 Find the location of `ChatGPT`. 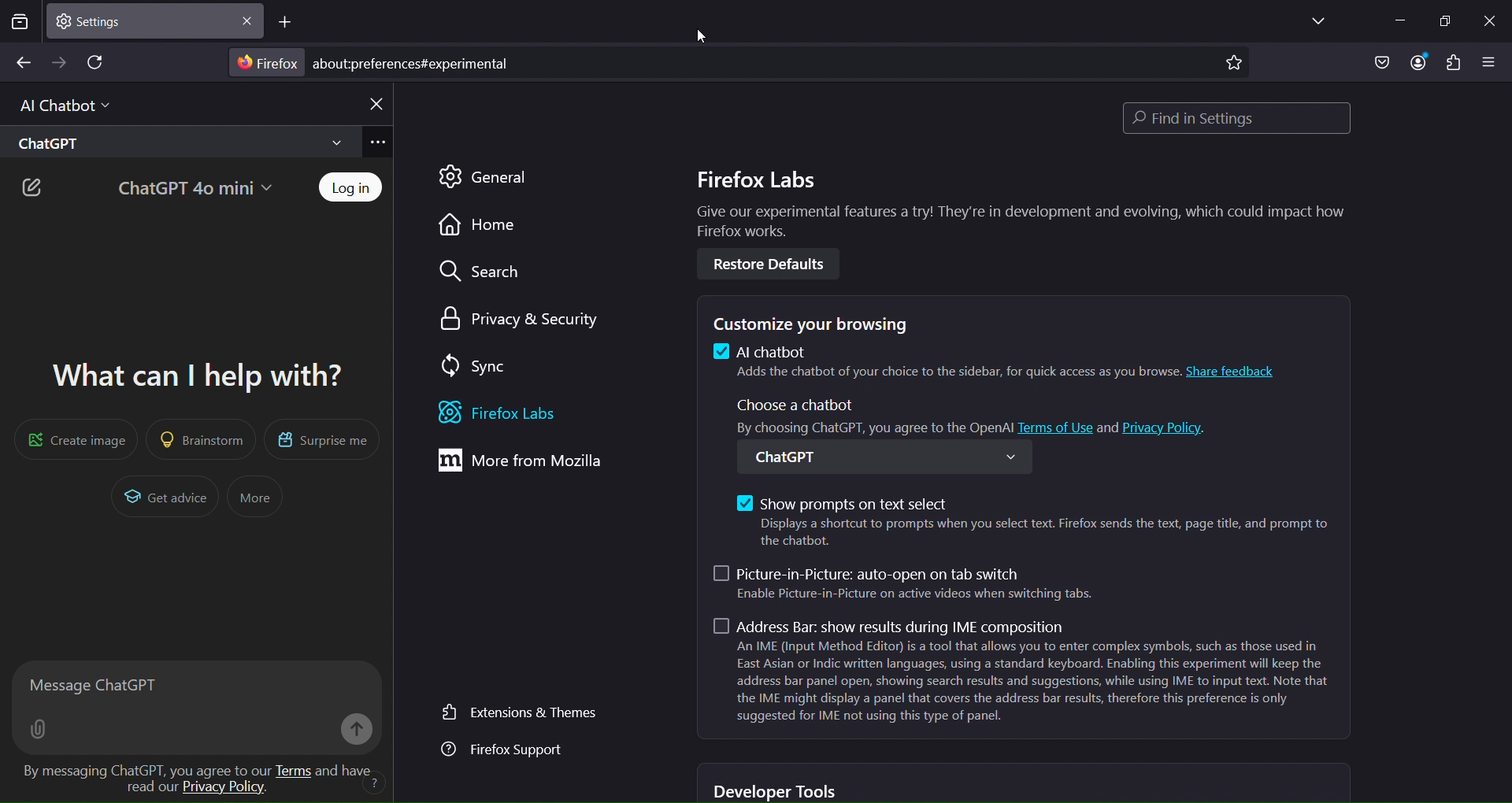

ChatGPT is located at coordinates (175, 142).